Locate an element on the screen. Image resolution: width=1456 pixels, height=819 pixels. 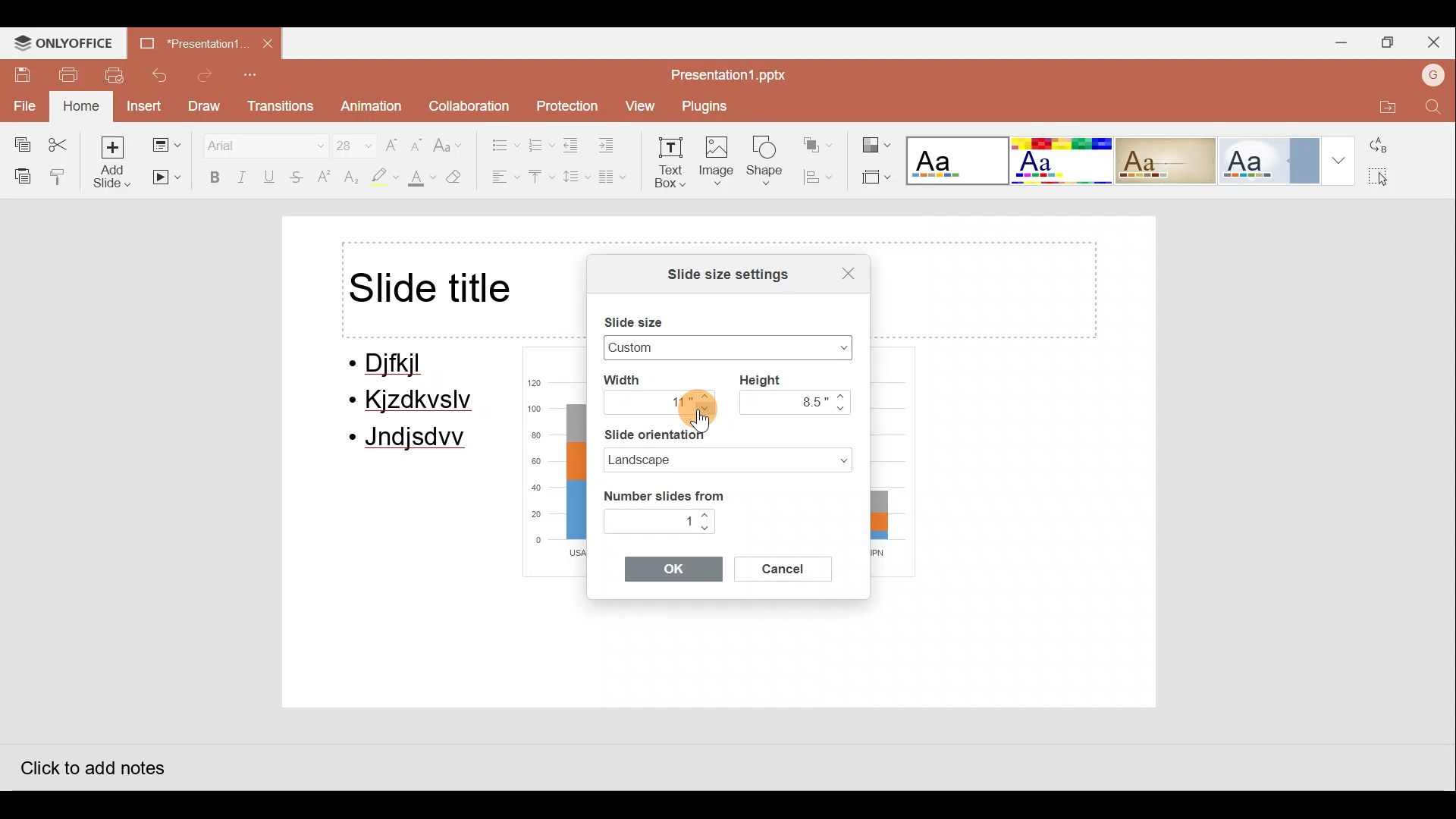
Font name is located at coordinates (256, 143).